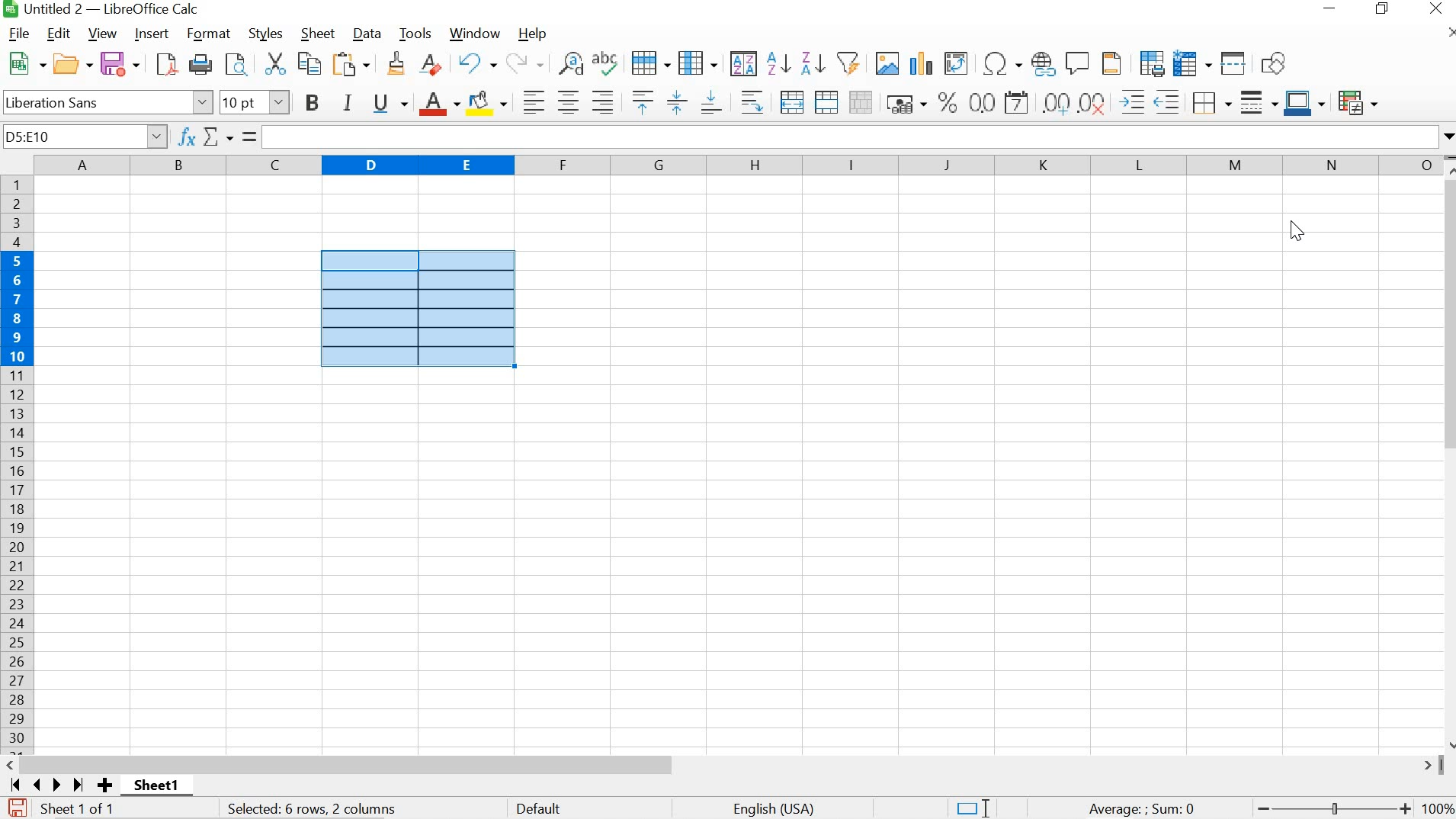 The width and height of the screenshot is (1456, 819). What do you see at coordinates (729, 765) in the screenshot?
I see `scrollbar` at bounding box center [729, 765].